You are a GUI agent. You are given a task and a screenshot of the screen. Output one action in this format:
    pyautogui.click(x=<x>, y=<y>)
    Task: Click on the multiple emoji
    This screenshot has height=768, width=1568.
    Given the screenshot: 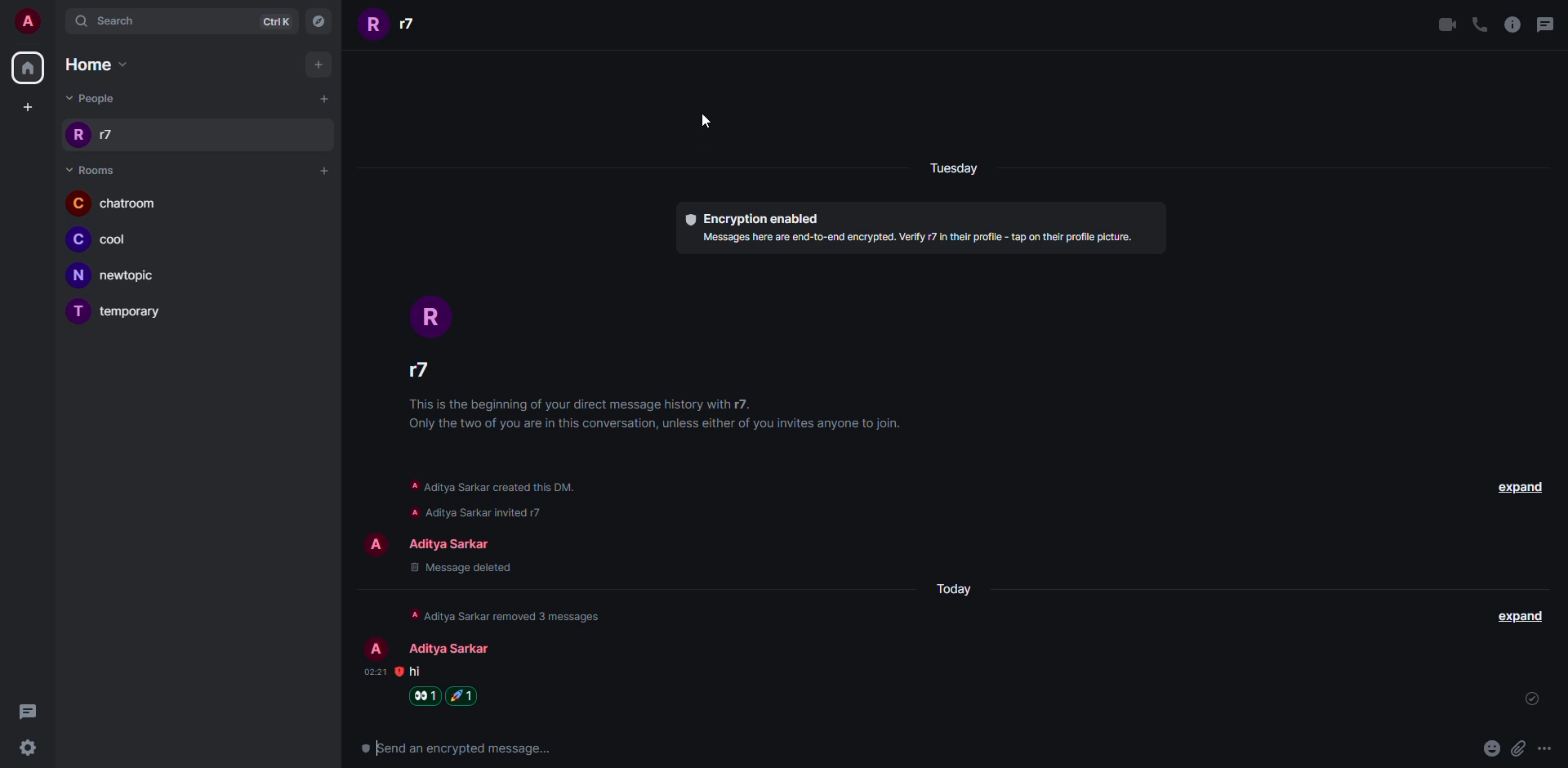 What is the action you would take?
    pyautogui.click(x=463, y=694)
    